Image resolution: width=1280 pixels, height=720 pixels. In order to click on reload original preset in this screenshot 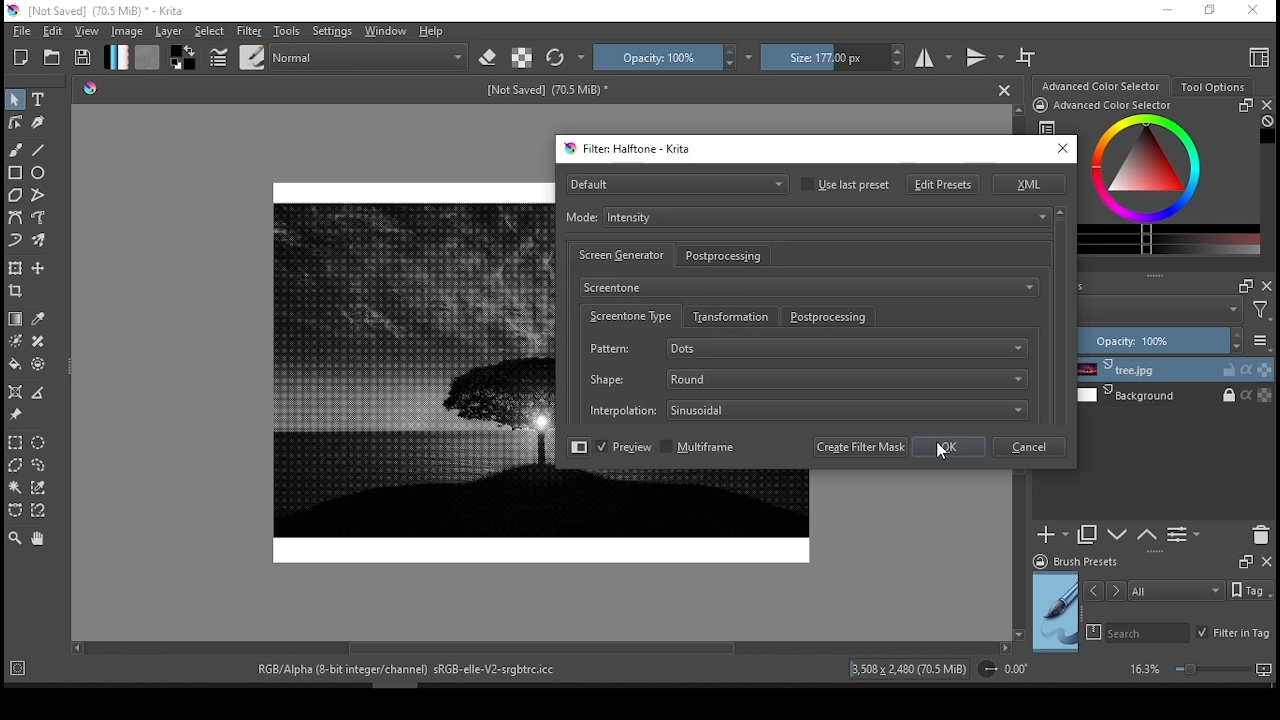, I will do `click(563, 57)`.